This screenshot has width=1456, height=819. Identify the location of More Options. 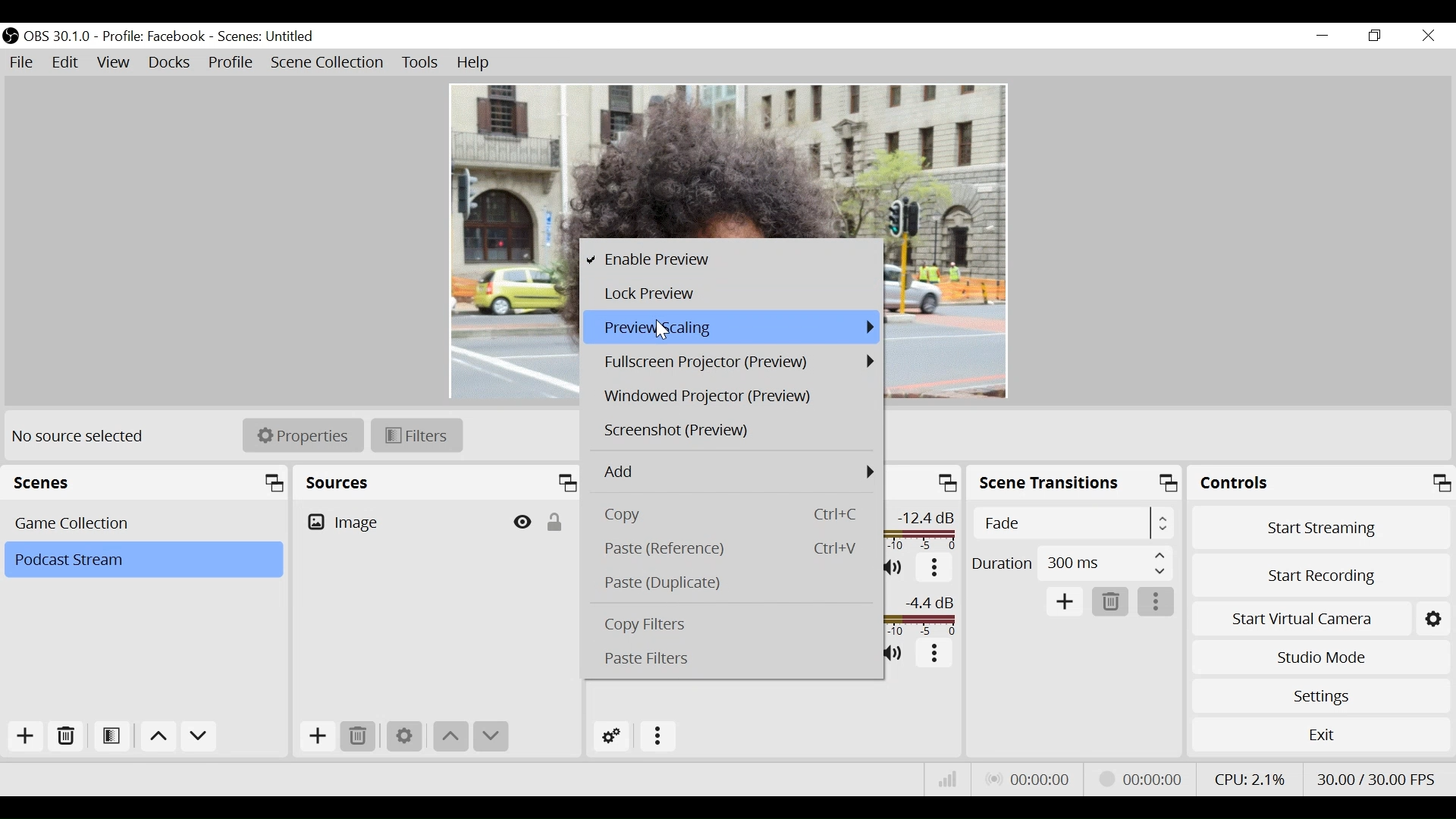
(658, 737).